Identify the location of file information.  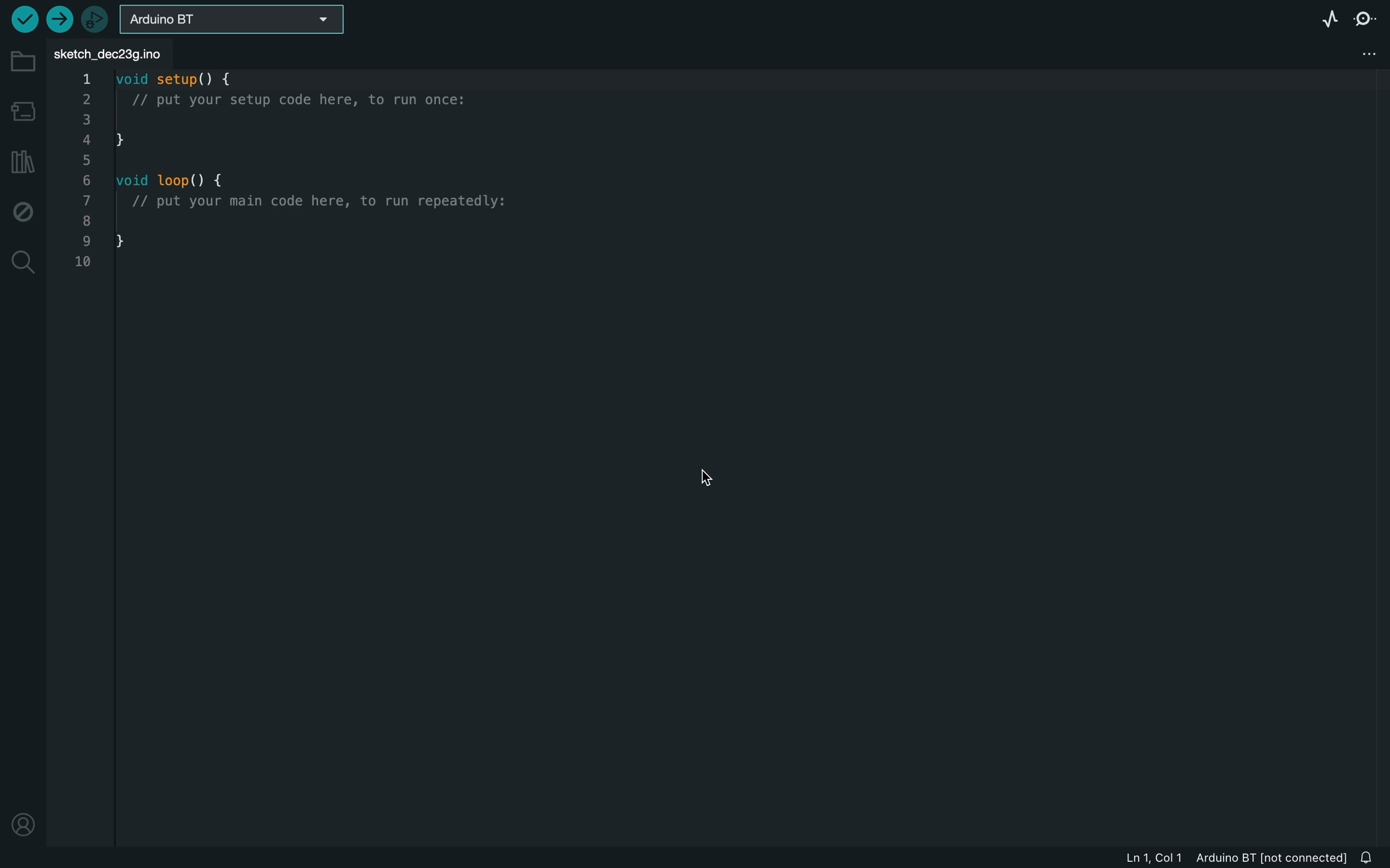
(1232, 858).